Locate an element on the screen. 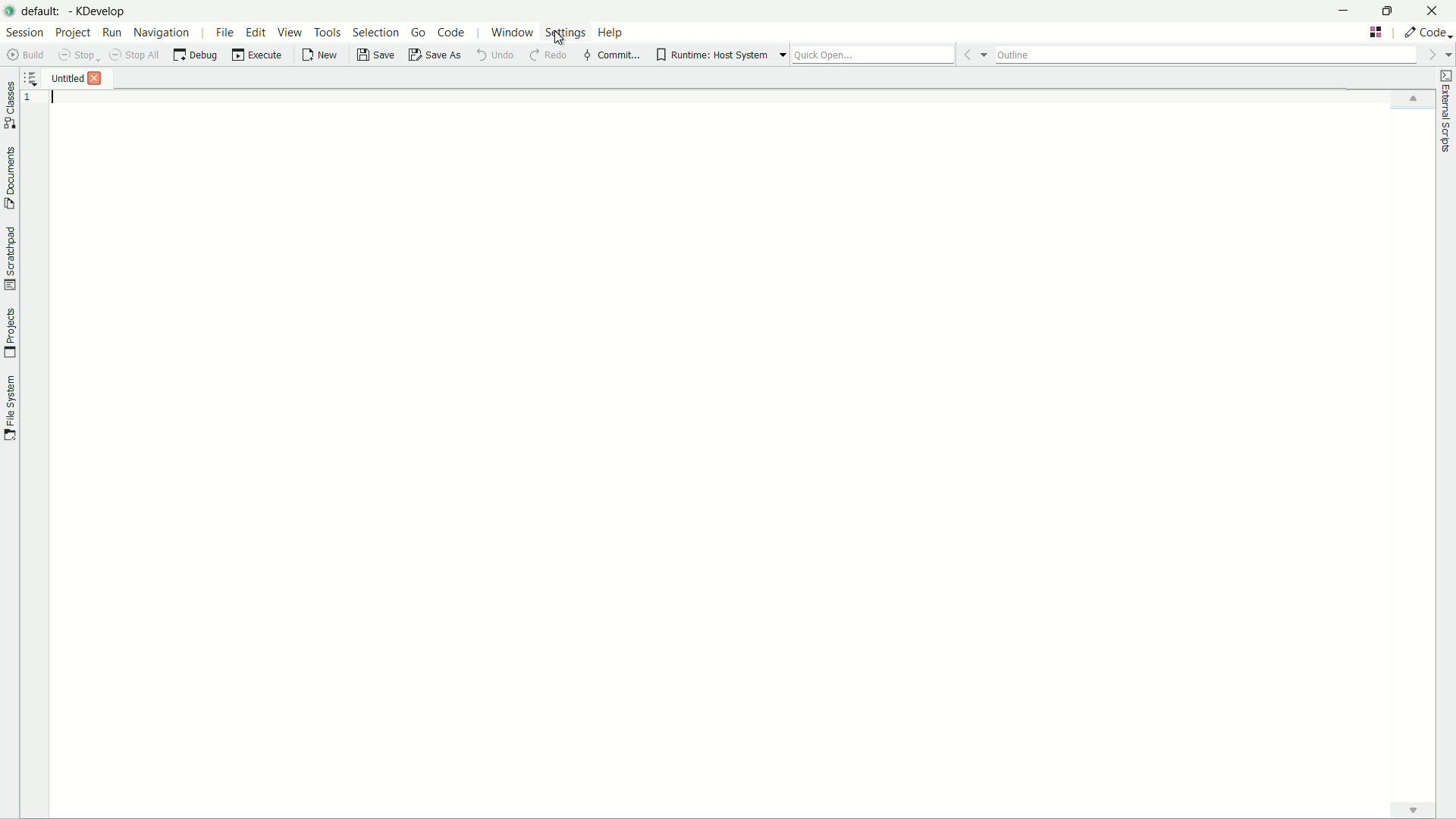 This screenshot has width=1456, height=819. toggle documents is located at coordinates (12, 180).